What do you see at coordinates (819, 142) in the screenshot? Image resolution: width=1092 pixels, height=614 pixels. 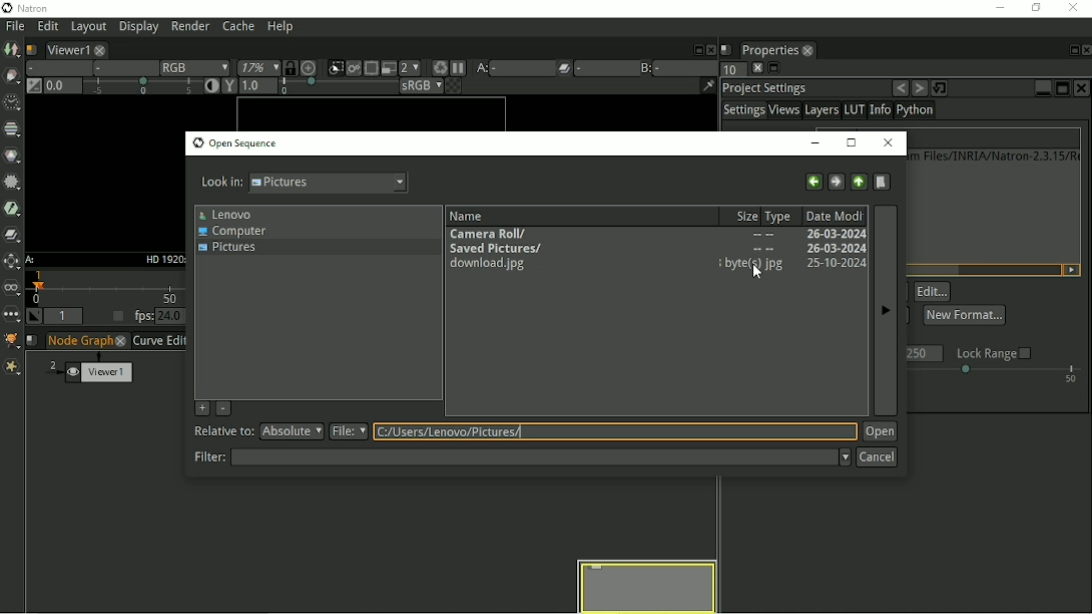 I see `Minimize` at bounding box center [819, 142].